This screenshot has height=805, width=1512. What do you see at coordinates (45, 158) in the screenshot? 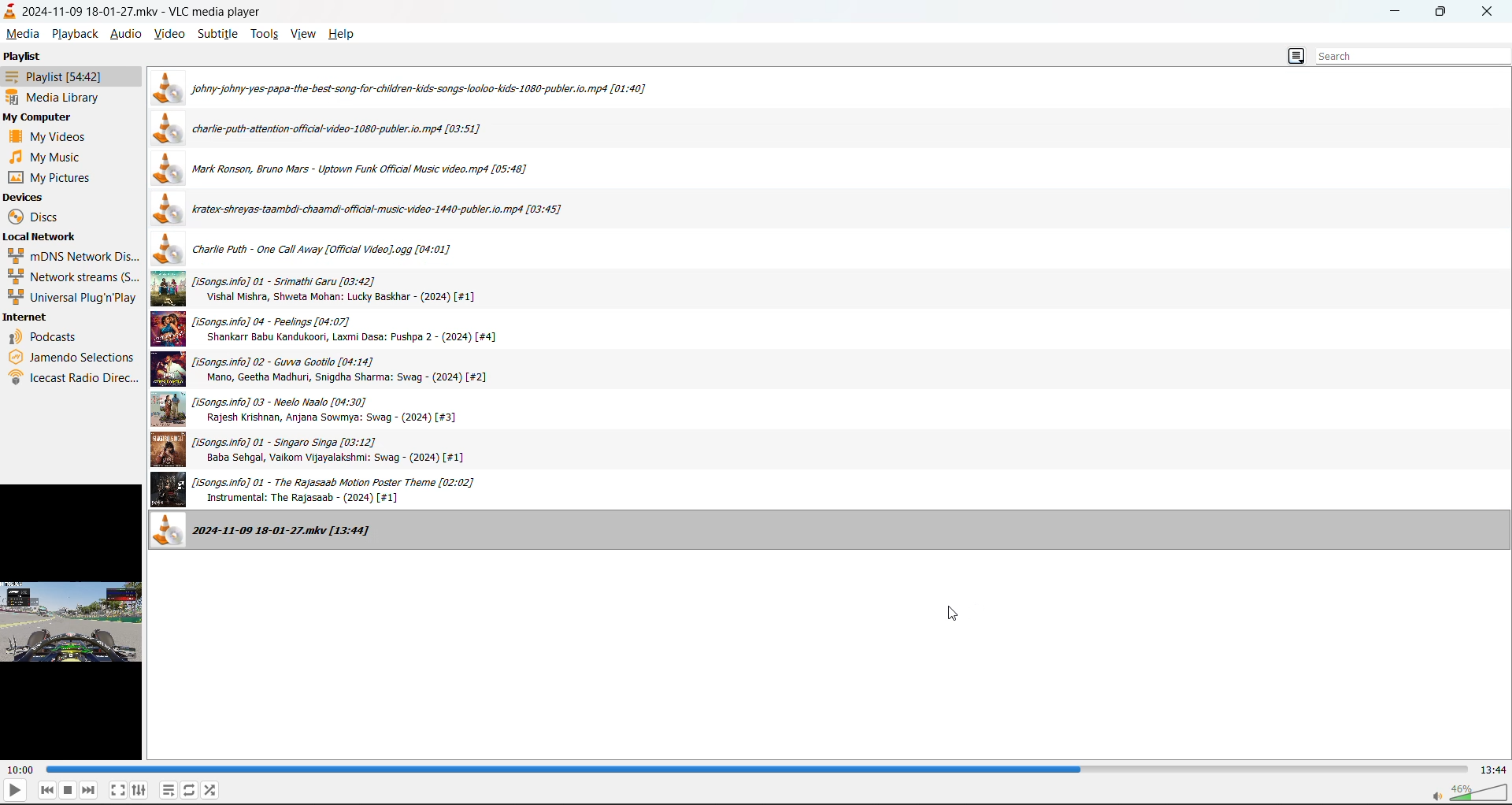
I see `music` at bounding box center [45, 158].